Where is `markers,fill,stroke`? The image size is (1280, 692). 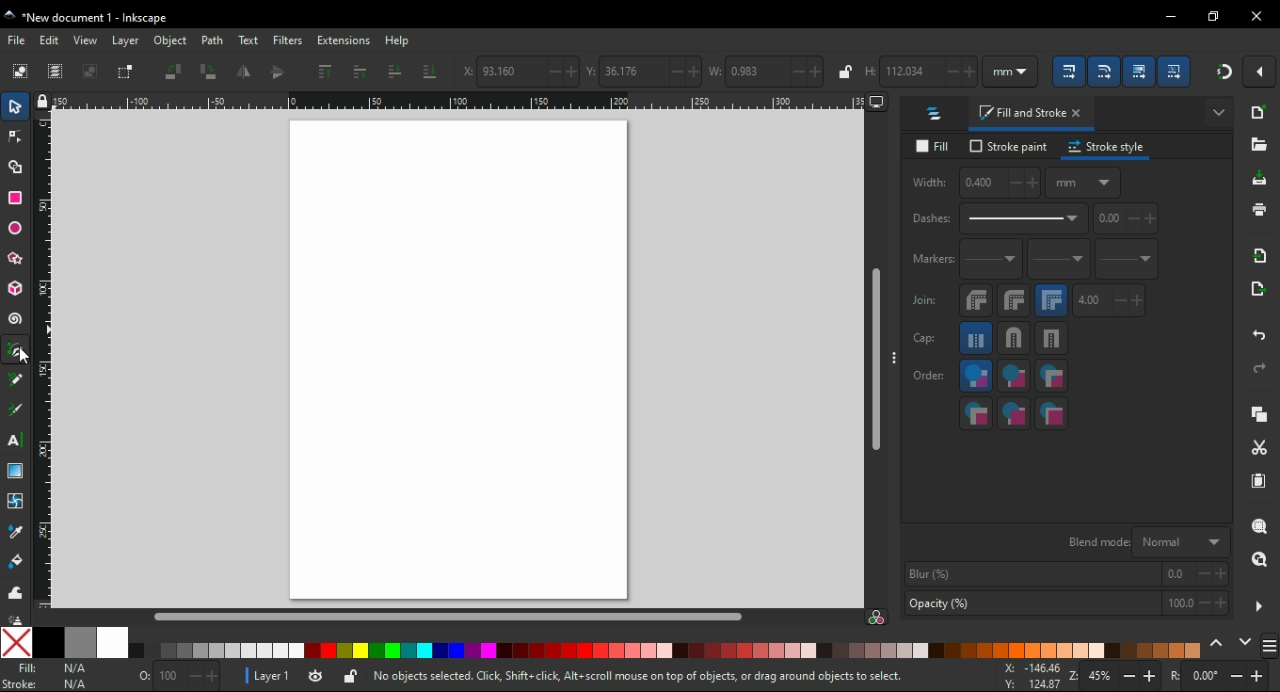 markers,fill,stroke is located at coordinates (976, 413).